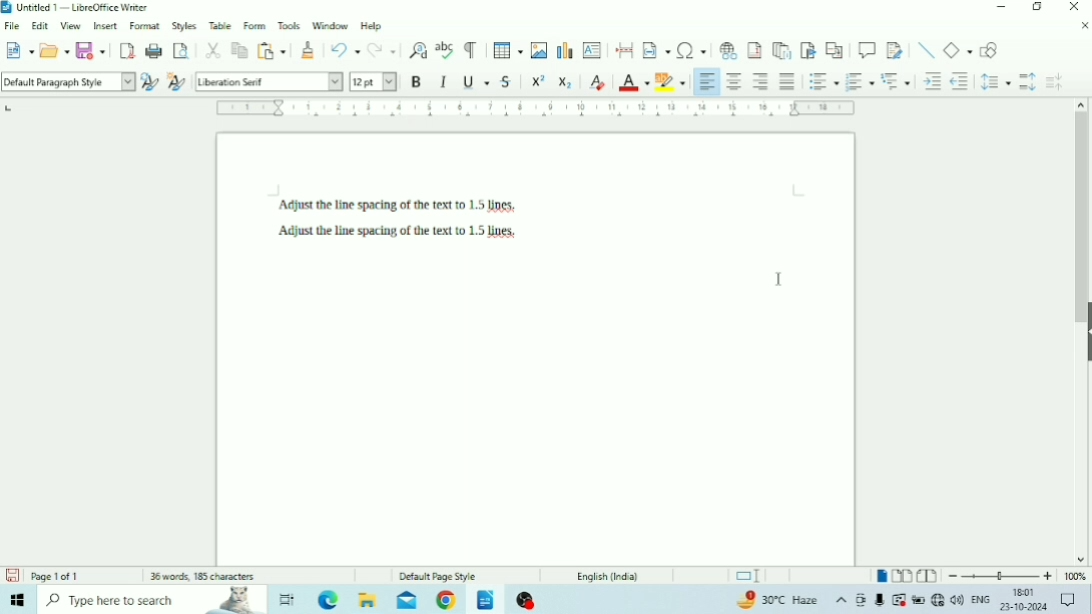  Describe the element at coordinates (989, 48) in the screenshot. I see `Show Draw Functions` at that location.